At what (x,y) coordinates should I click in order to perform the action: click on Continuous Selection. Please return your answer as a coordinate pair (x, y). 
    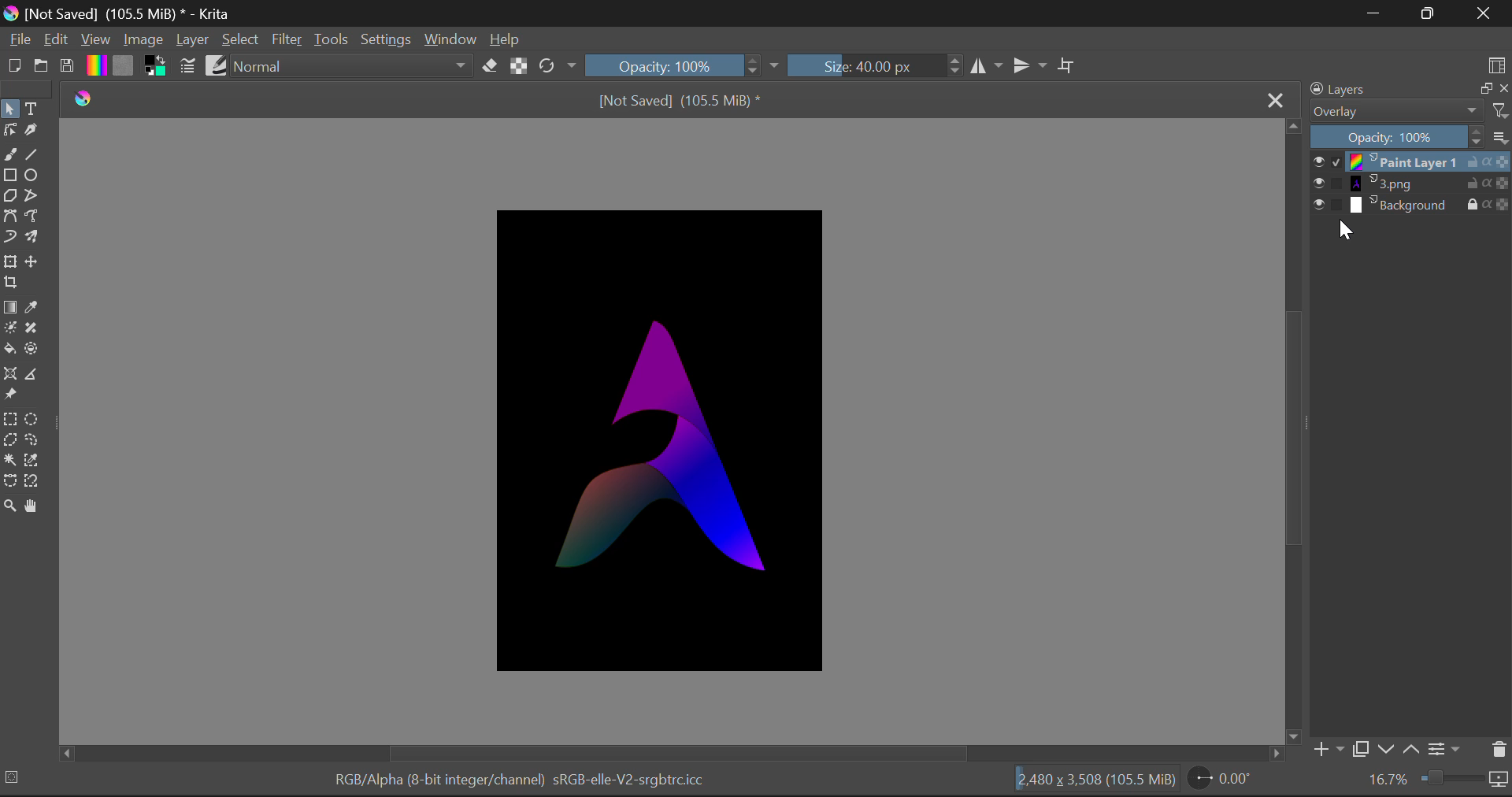
    Looking at the image, I should click on (10, 462).